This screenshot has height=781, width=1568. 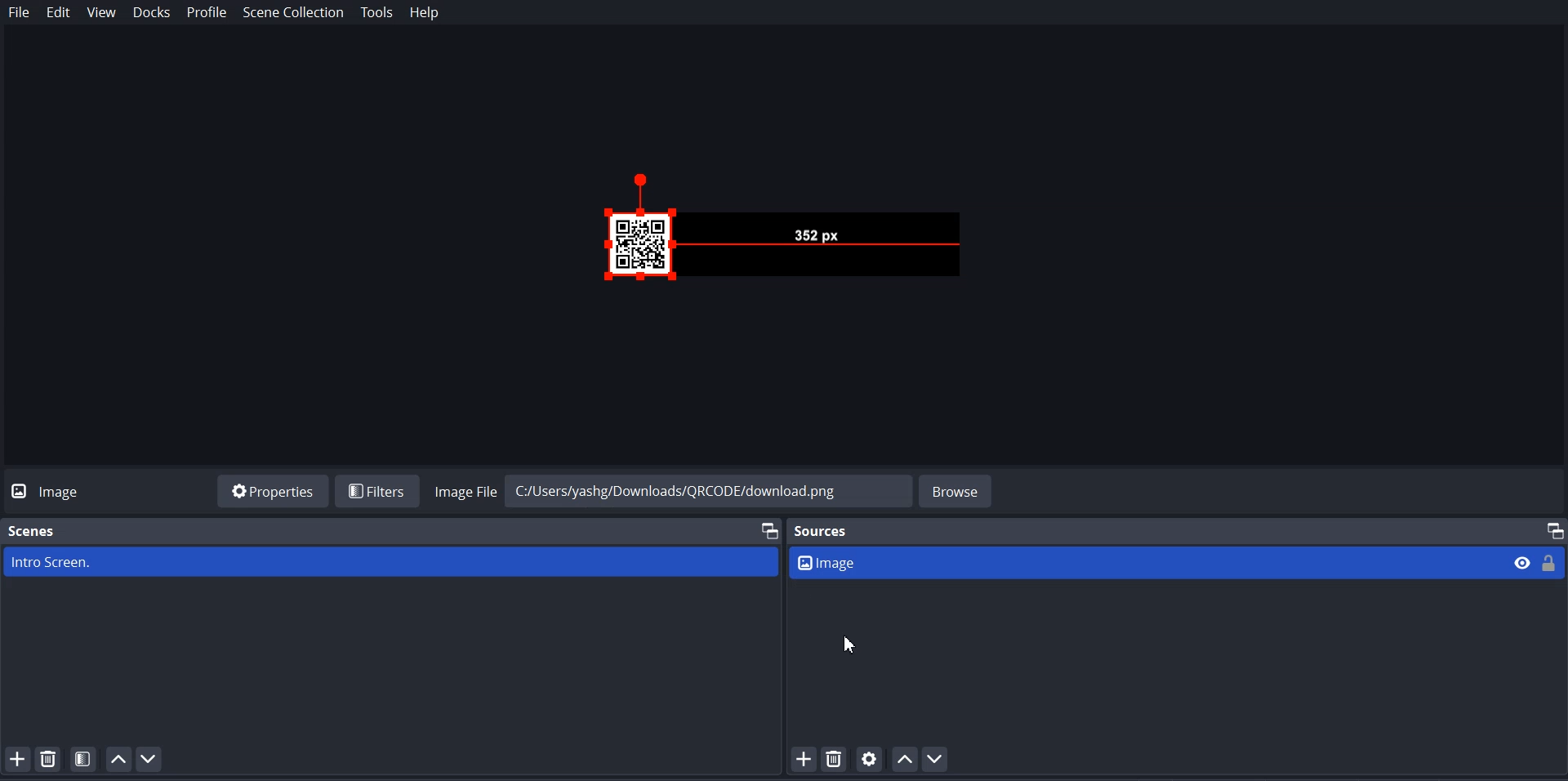 What do you see at coordinates (826, 530) in the screenshot?
I see `Source` at bounding box center [826, 530].